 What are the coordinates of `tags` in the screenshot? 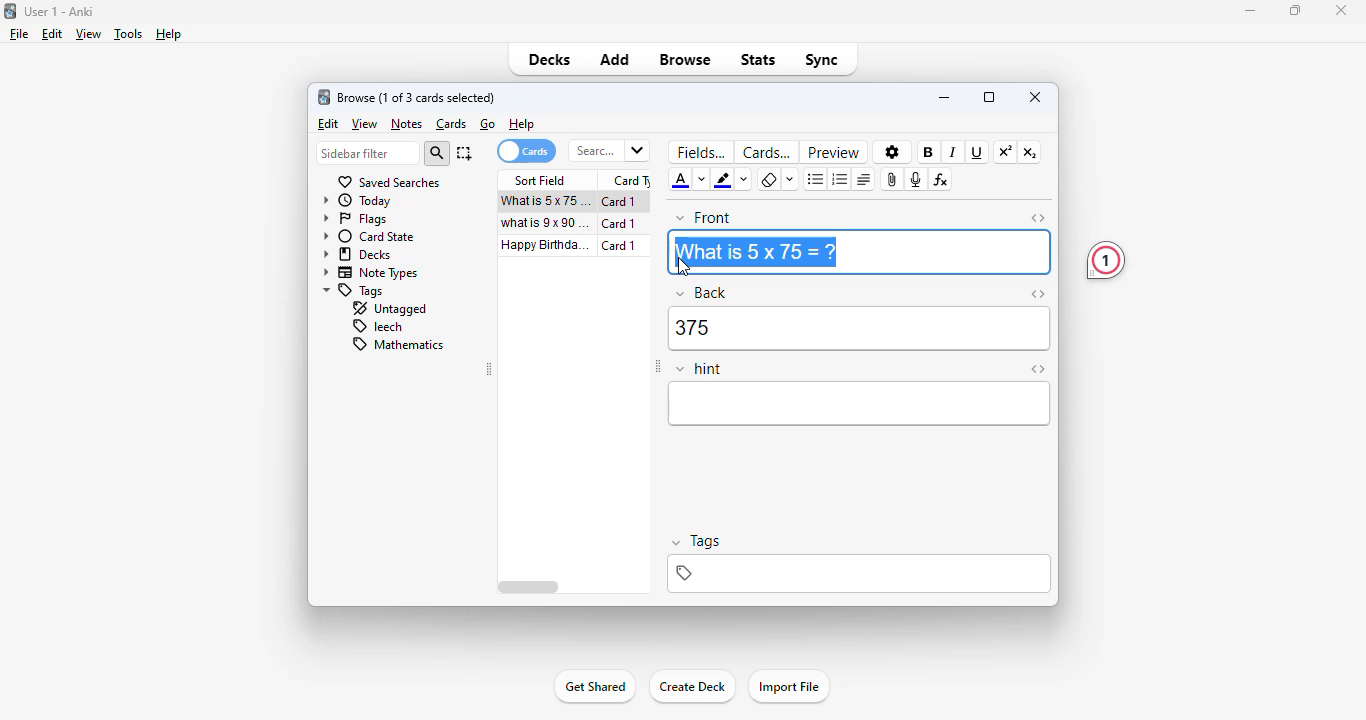 It's located at (697, 541).